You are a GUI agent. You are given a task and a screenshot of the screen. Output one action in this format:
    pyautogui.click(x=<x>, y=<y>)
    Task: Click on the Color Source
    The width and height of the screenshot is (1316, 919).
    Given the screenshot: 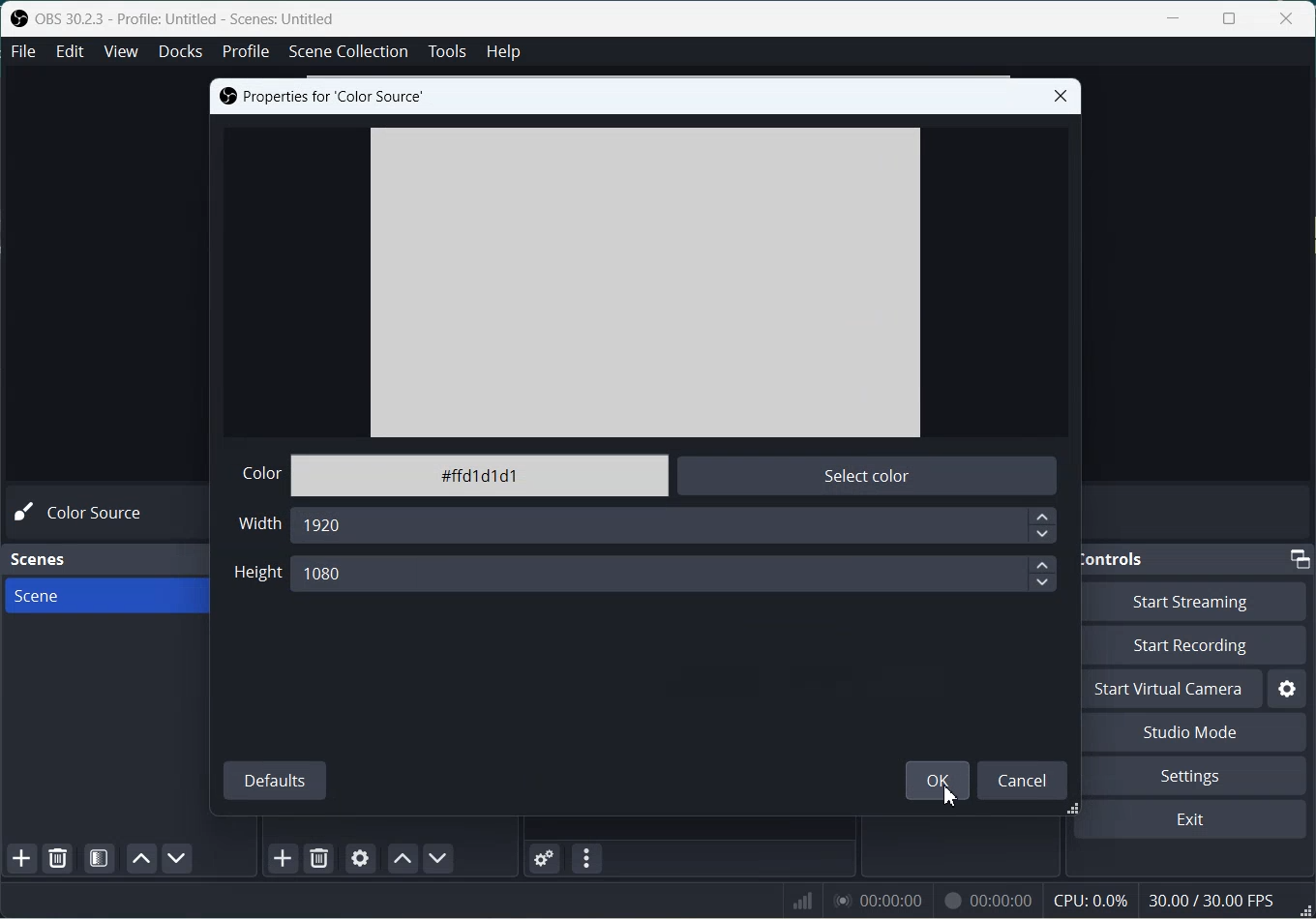 What is the action you would take?
    pyautogui.click(x=86, y=513)
    